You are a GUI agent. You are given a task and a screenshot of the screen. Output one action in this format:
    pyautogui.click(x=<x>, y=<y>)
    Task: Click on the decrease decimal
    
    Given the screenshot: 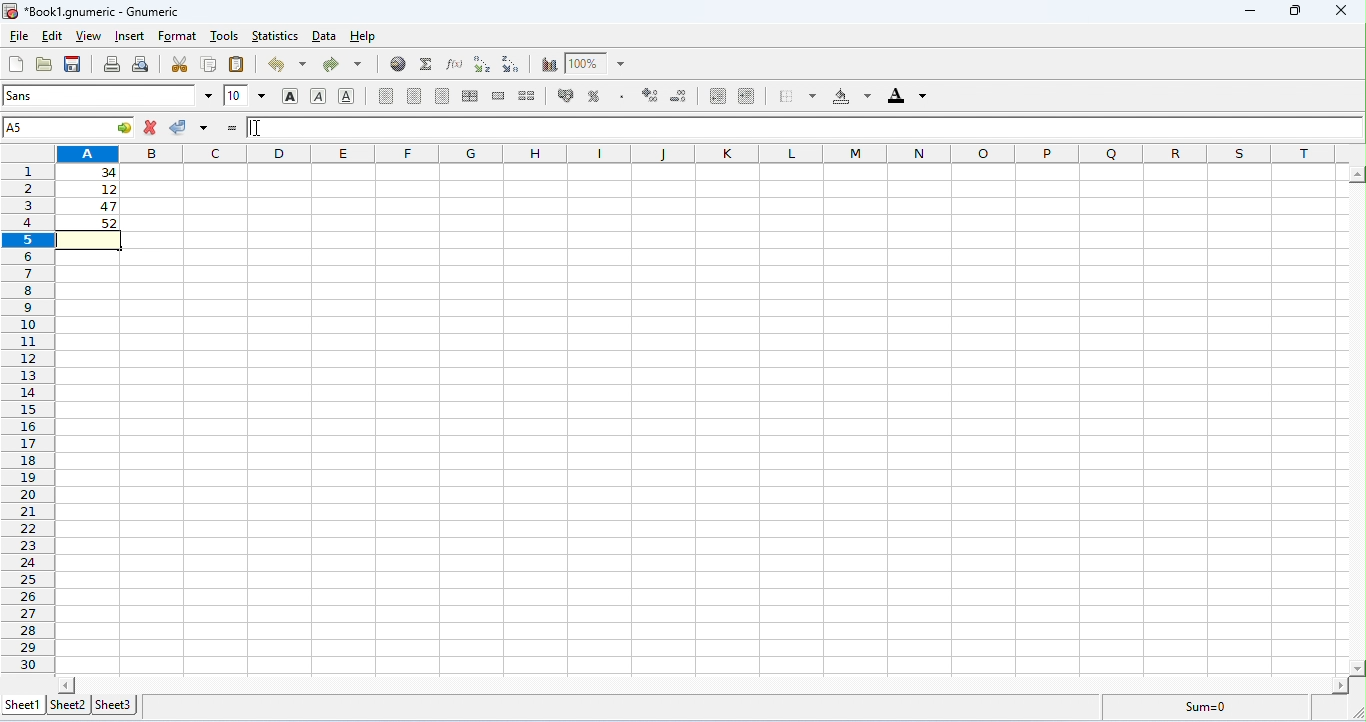 What is the action you would take?
    pyautogui.click(x=680, y=96)
    